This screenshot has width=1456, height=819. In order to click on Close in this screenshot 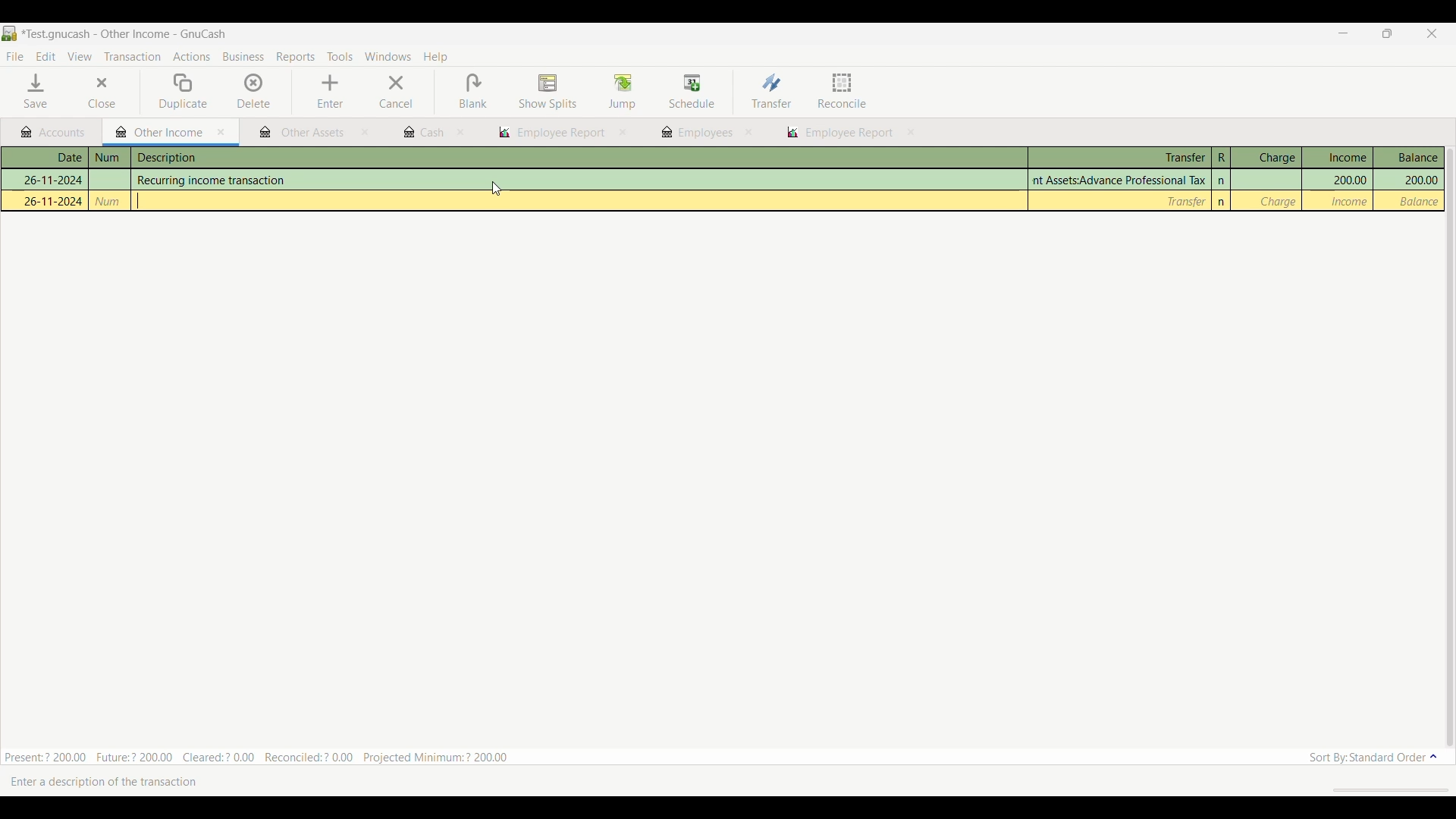, I will do `click(91, 93)`.